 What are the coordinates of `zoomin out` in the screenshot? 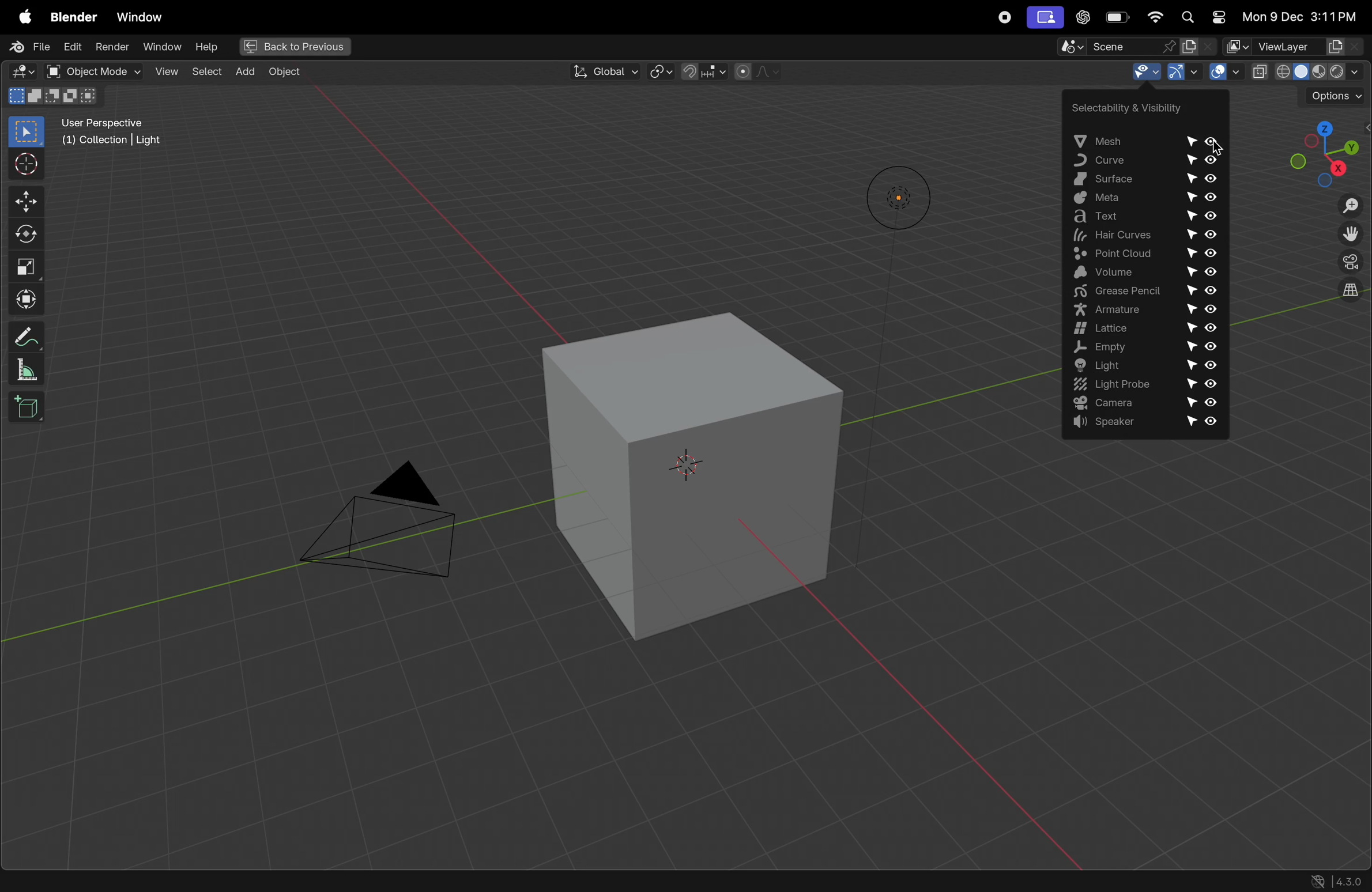 It's located at (1351, 207).